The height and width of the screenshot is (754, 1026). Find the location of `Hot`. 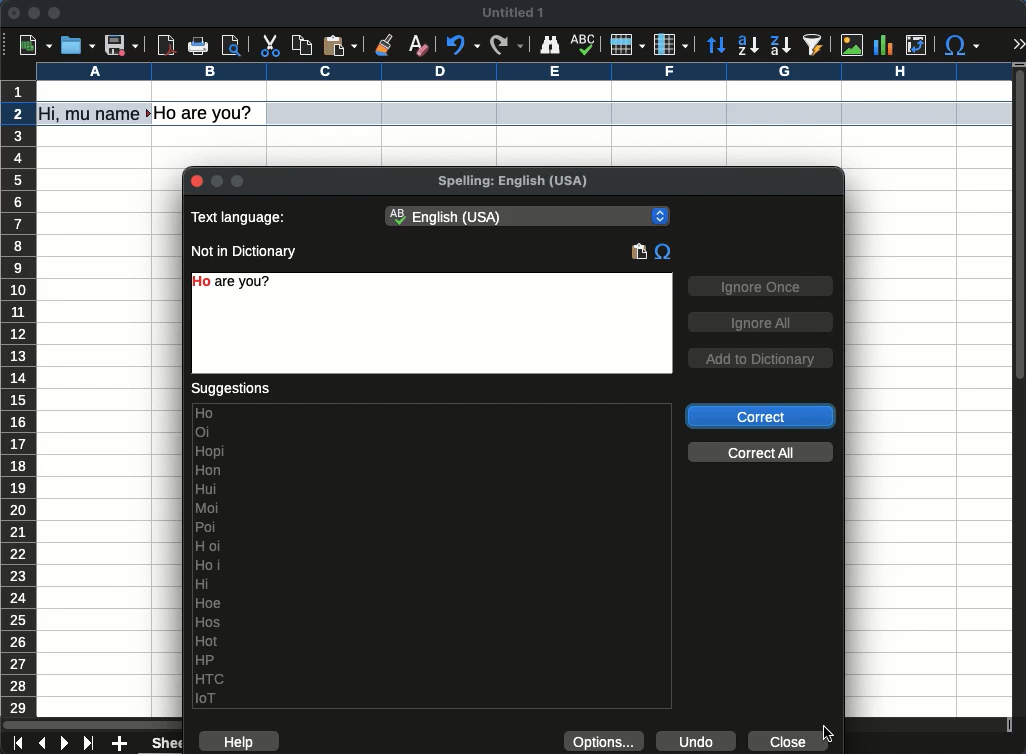

Hot is located at coordinates (207, 641).